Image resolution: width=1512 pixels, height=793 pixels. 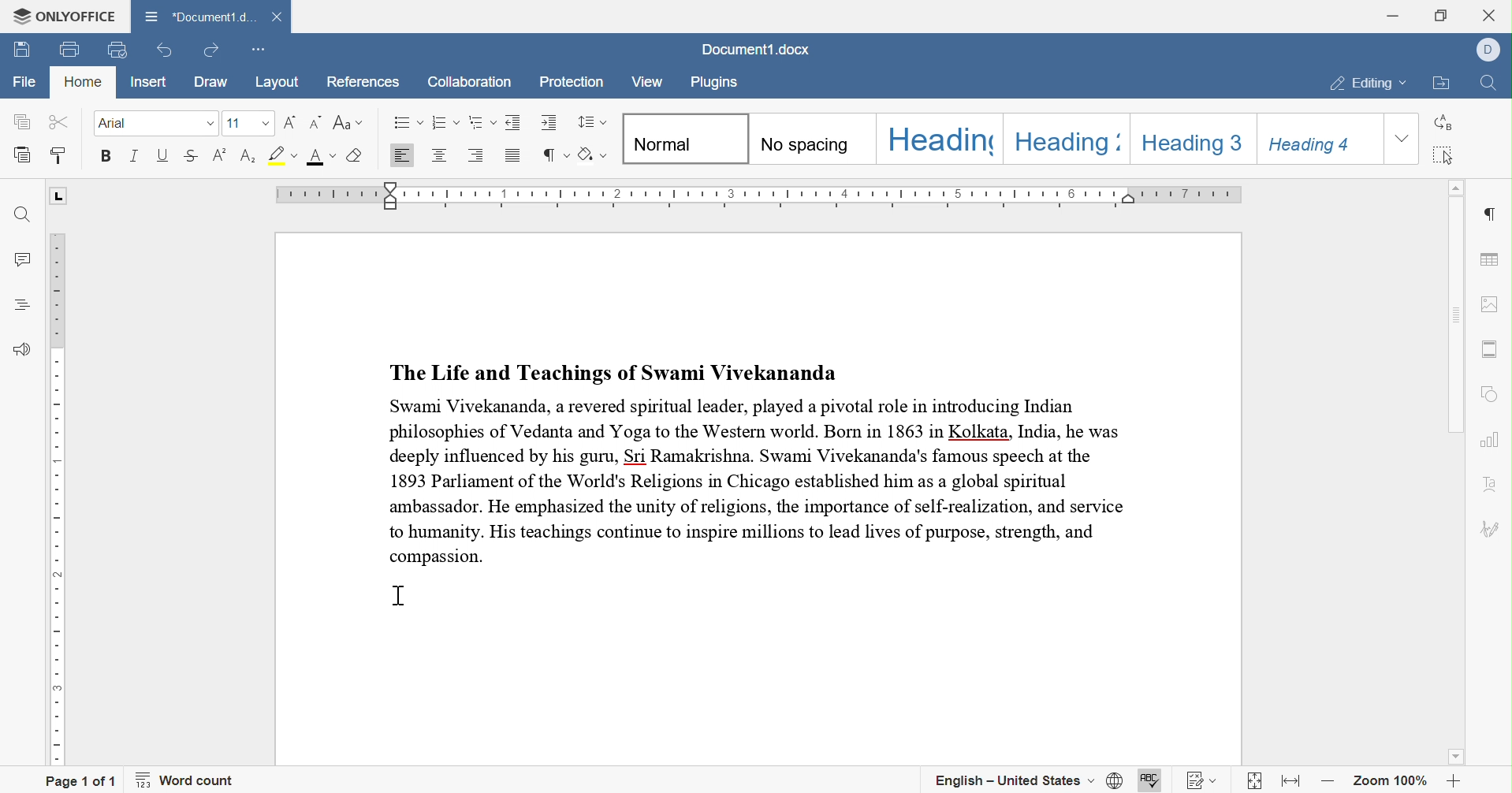 I want to click on scroll up, so click(x=1458, y=185).